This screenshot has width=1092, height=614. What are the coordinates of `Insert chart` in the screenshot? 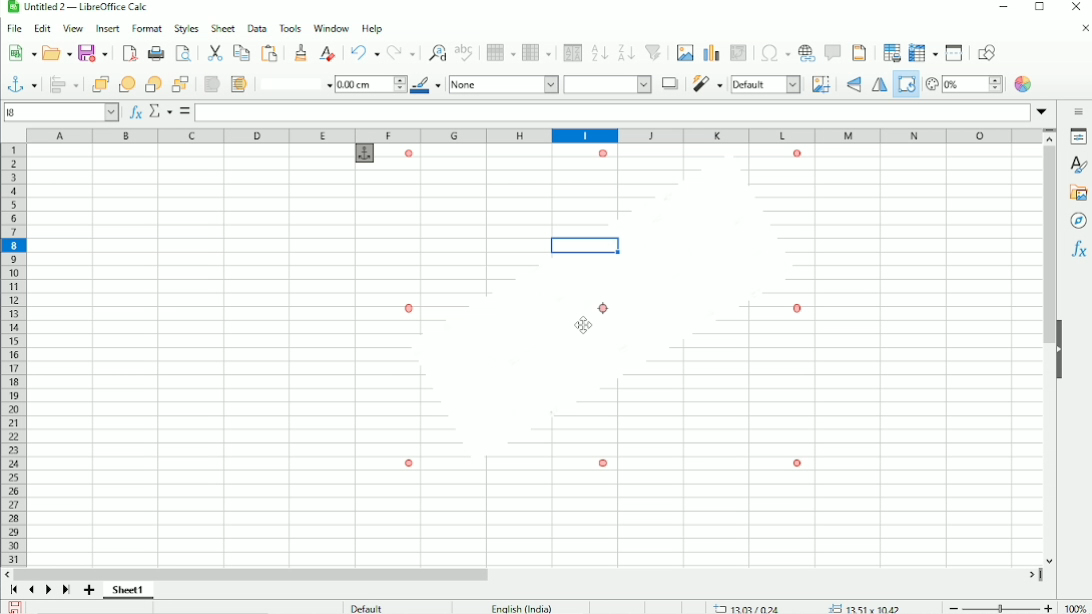 It's located at (711, 53).